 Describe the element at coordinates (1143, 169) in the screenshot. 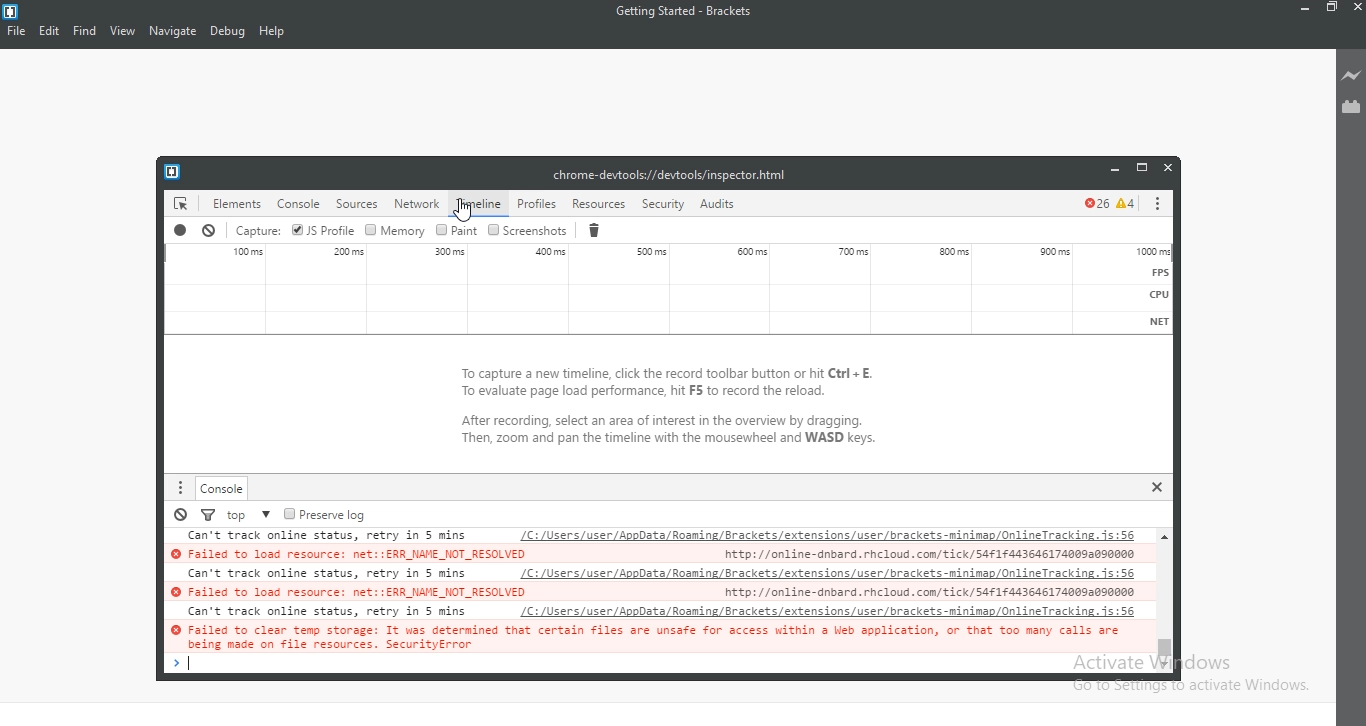

I see `restore` at that location.